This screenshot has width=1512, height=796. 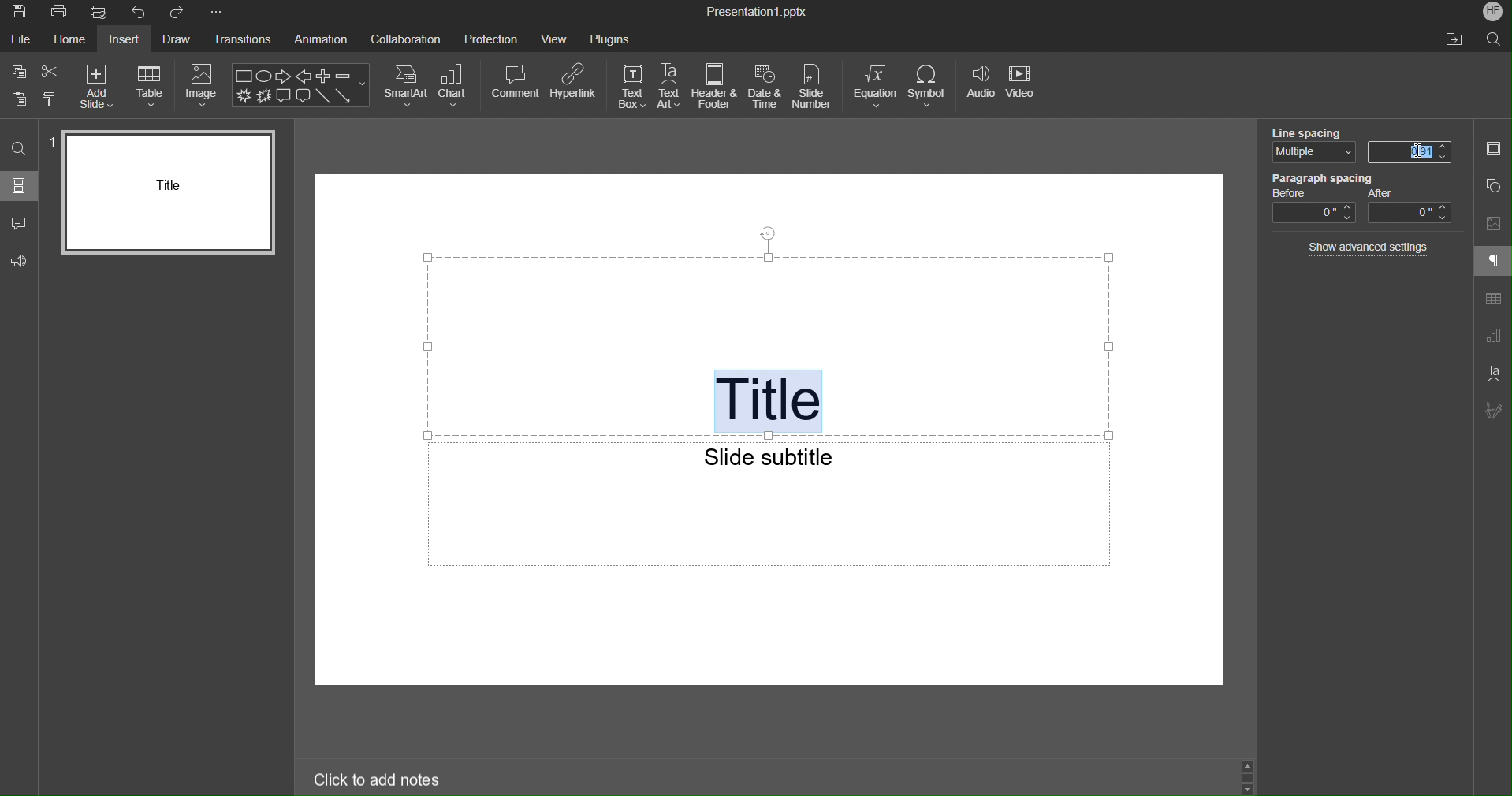 What do you see at coordinates (767, 88) in the screenshot?
I see `Date and Time` at bounding box center [767, 88].